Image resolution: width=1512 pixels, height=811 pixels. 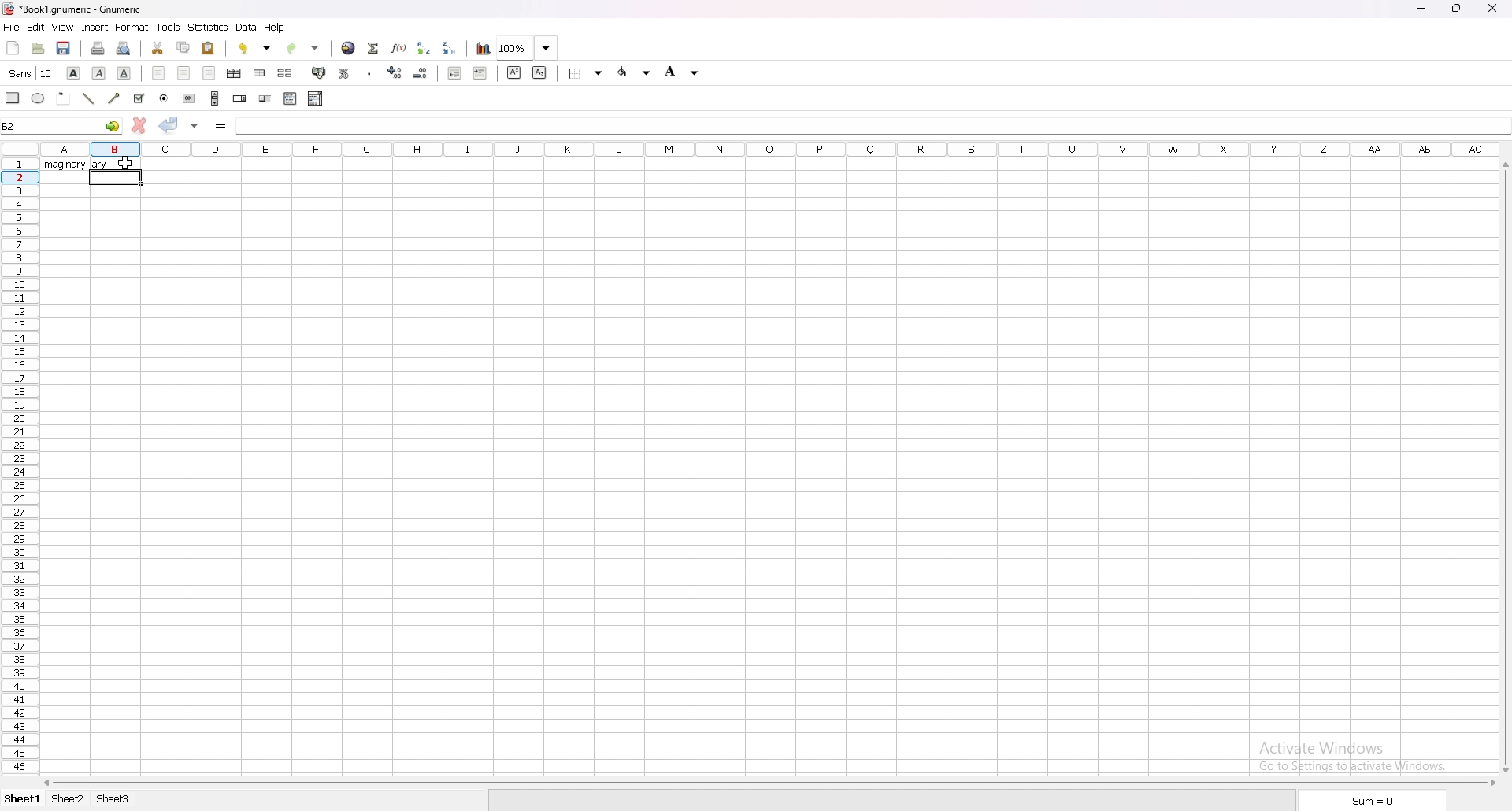 I want to click on open, so click(x=39, y=47).